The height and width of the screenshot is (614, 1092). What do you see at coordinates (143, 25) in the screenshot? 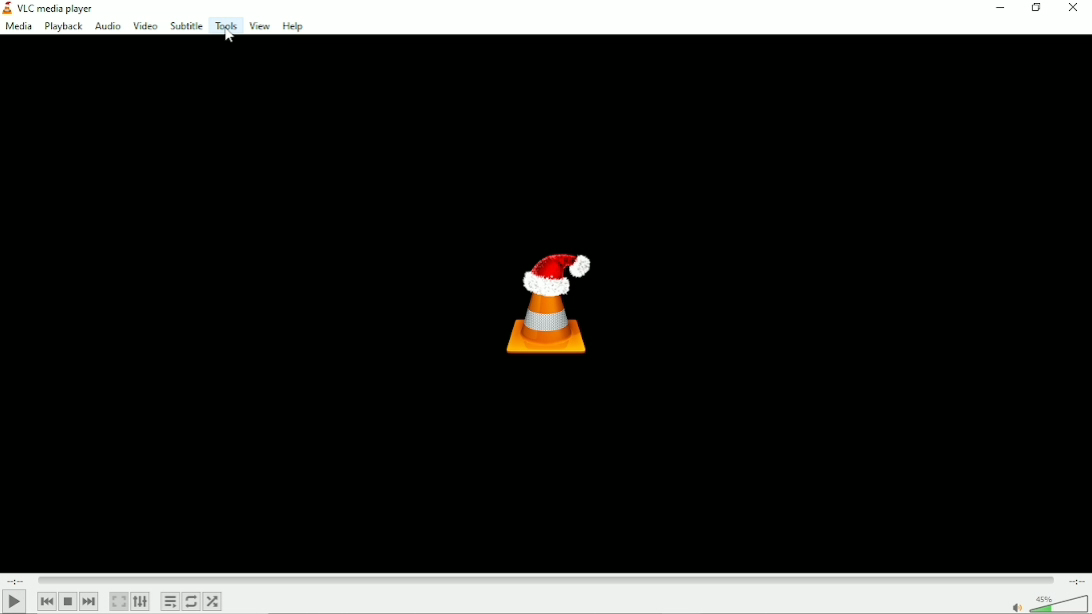
I see `Video` at bounding box center [143, 25].